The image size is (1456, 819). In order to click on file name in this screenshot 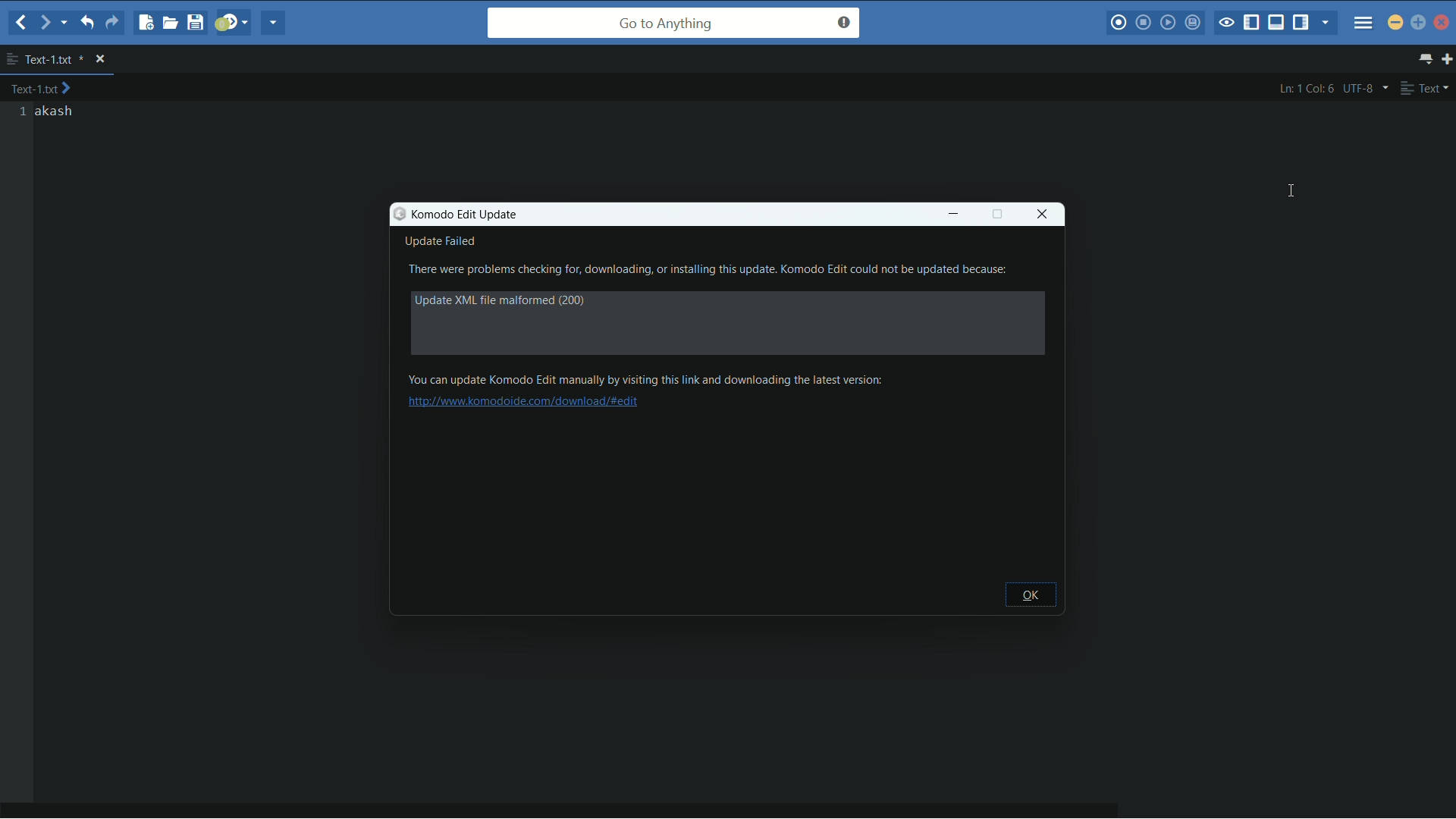, I will do `click(51, 60)`.